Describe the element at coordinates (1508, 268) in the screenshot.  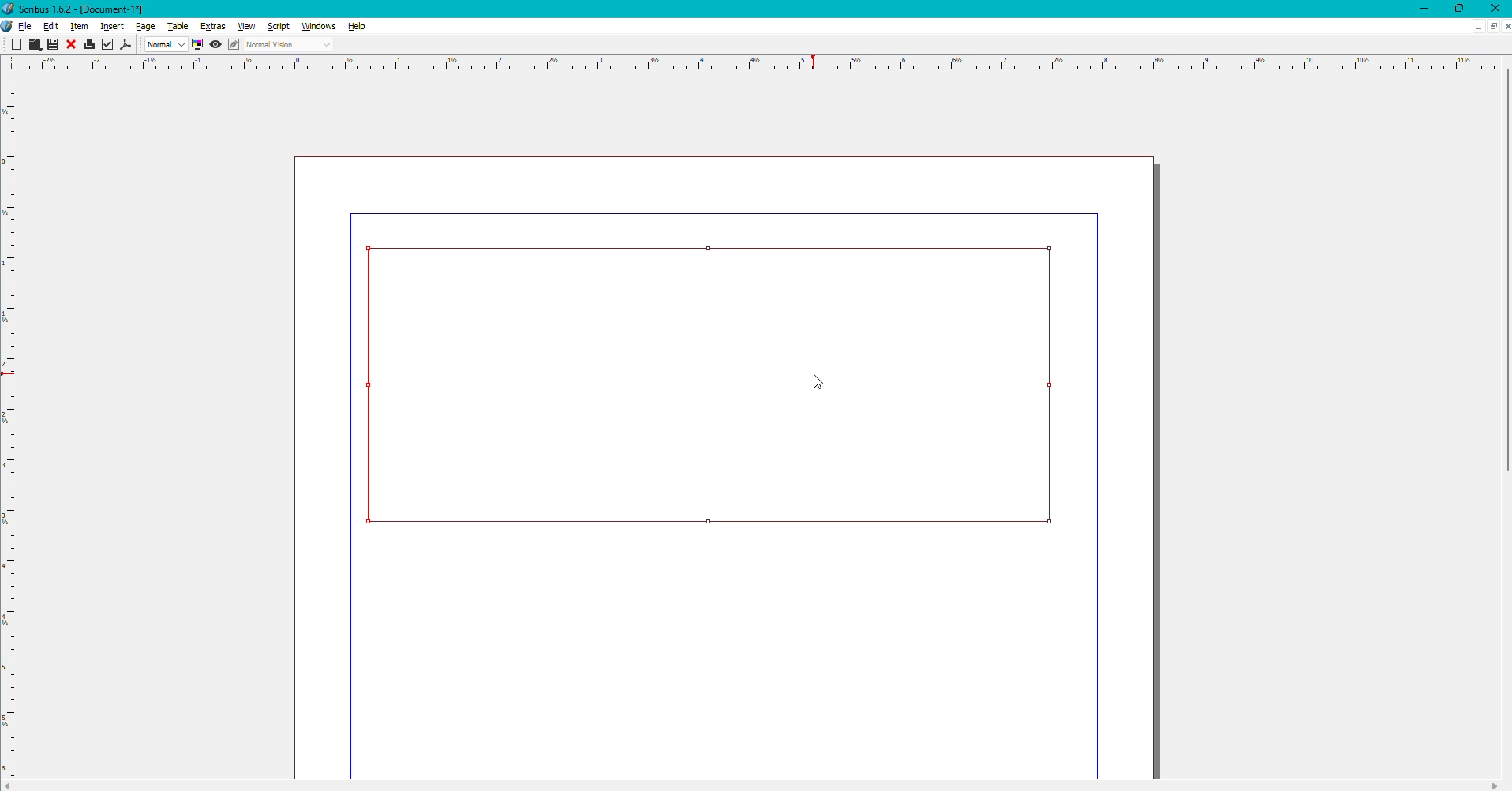
I see `scroll bar` at that location.